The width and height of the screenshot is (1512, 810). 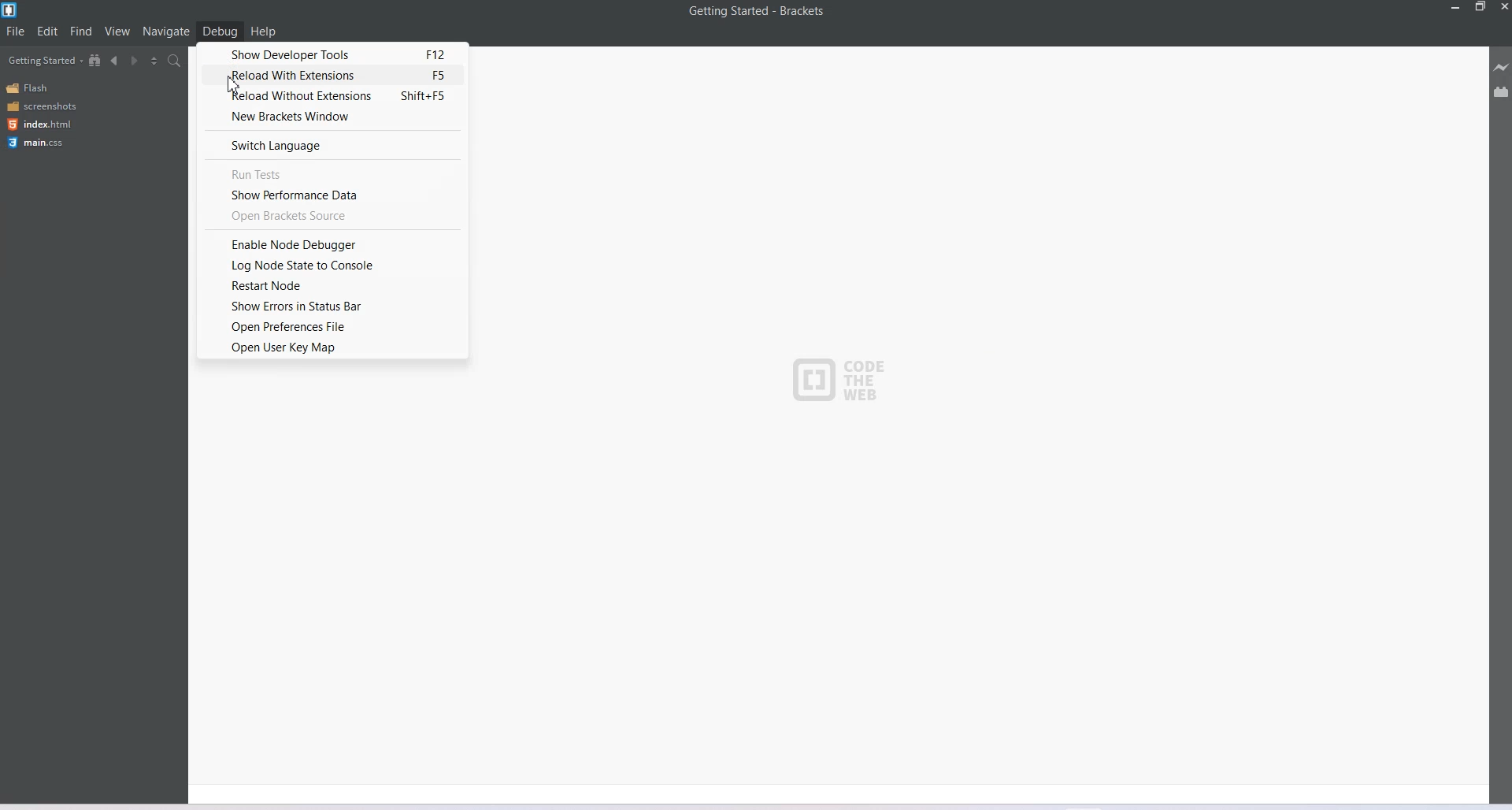 What do you see at coordinates (39, 124) in the screenshot?
I see `index.html` at bounding box center [39, 124].